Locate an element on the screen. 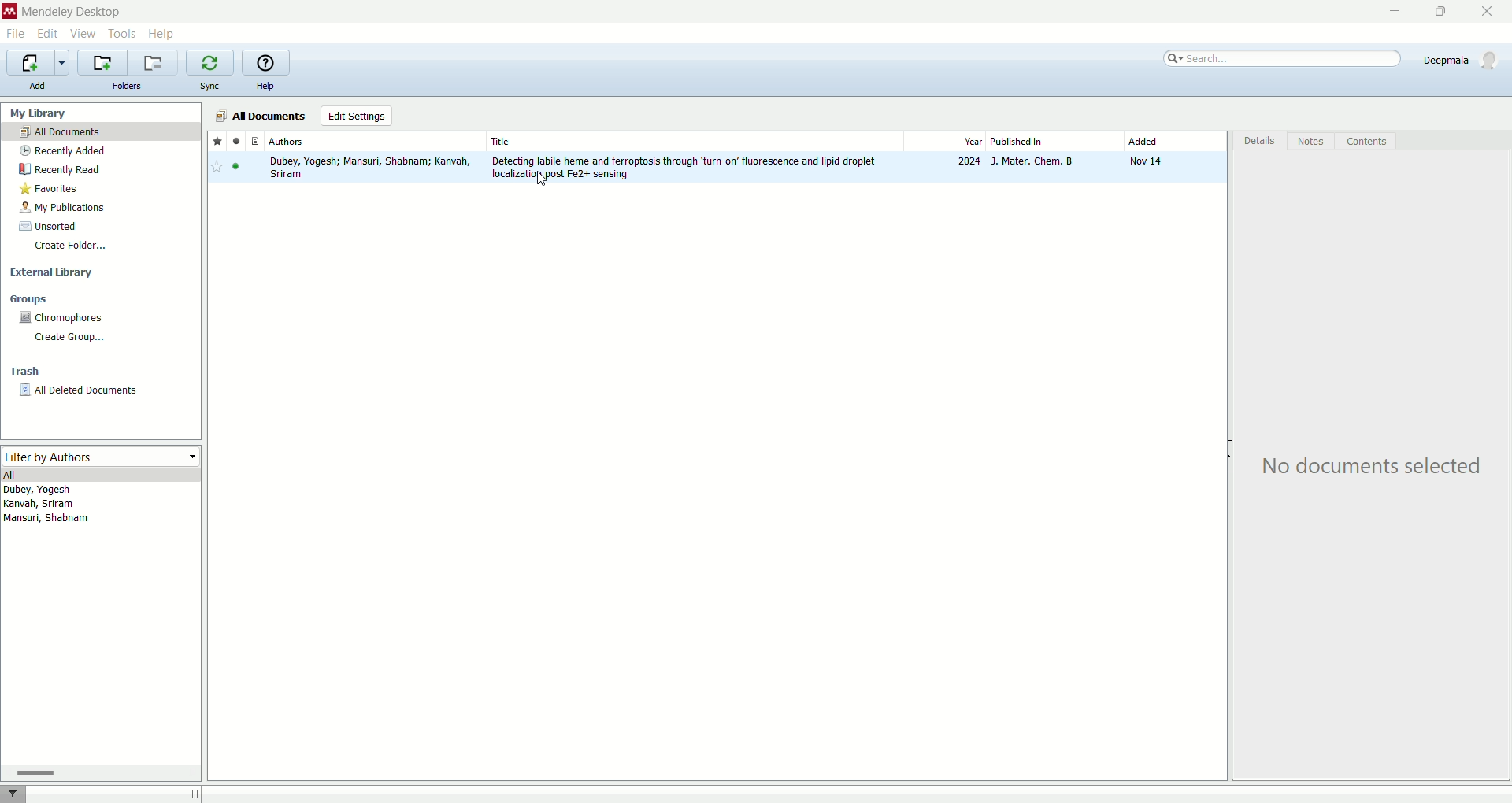 The height and width of the screenshot is (803, 1512). all is located at coordinates (102, 475).